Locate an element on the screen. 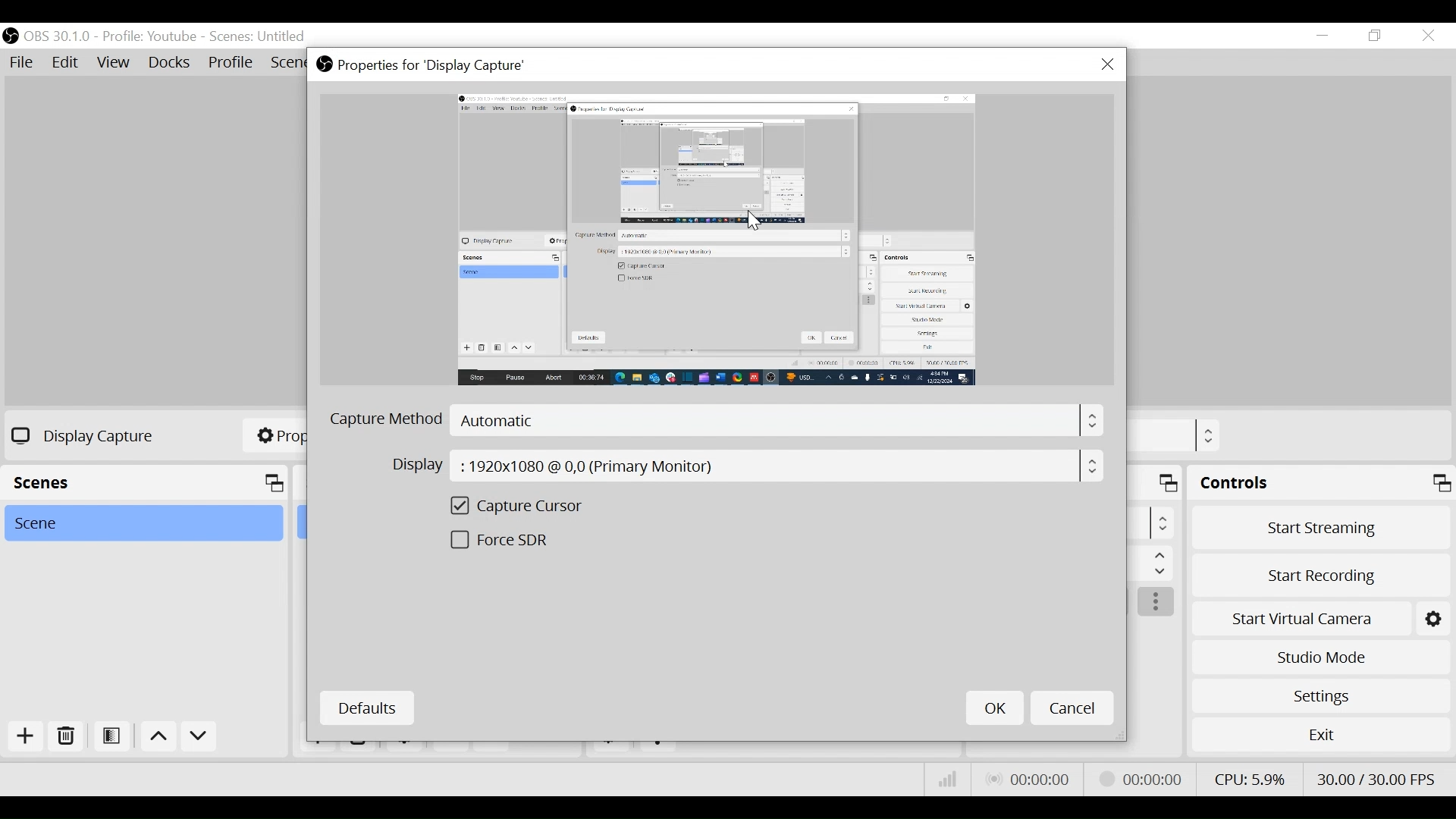 This screenshot has height=819, width=1456. CPU Usage is located at coordinates (1250, 779).